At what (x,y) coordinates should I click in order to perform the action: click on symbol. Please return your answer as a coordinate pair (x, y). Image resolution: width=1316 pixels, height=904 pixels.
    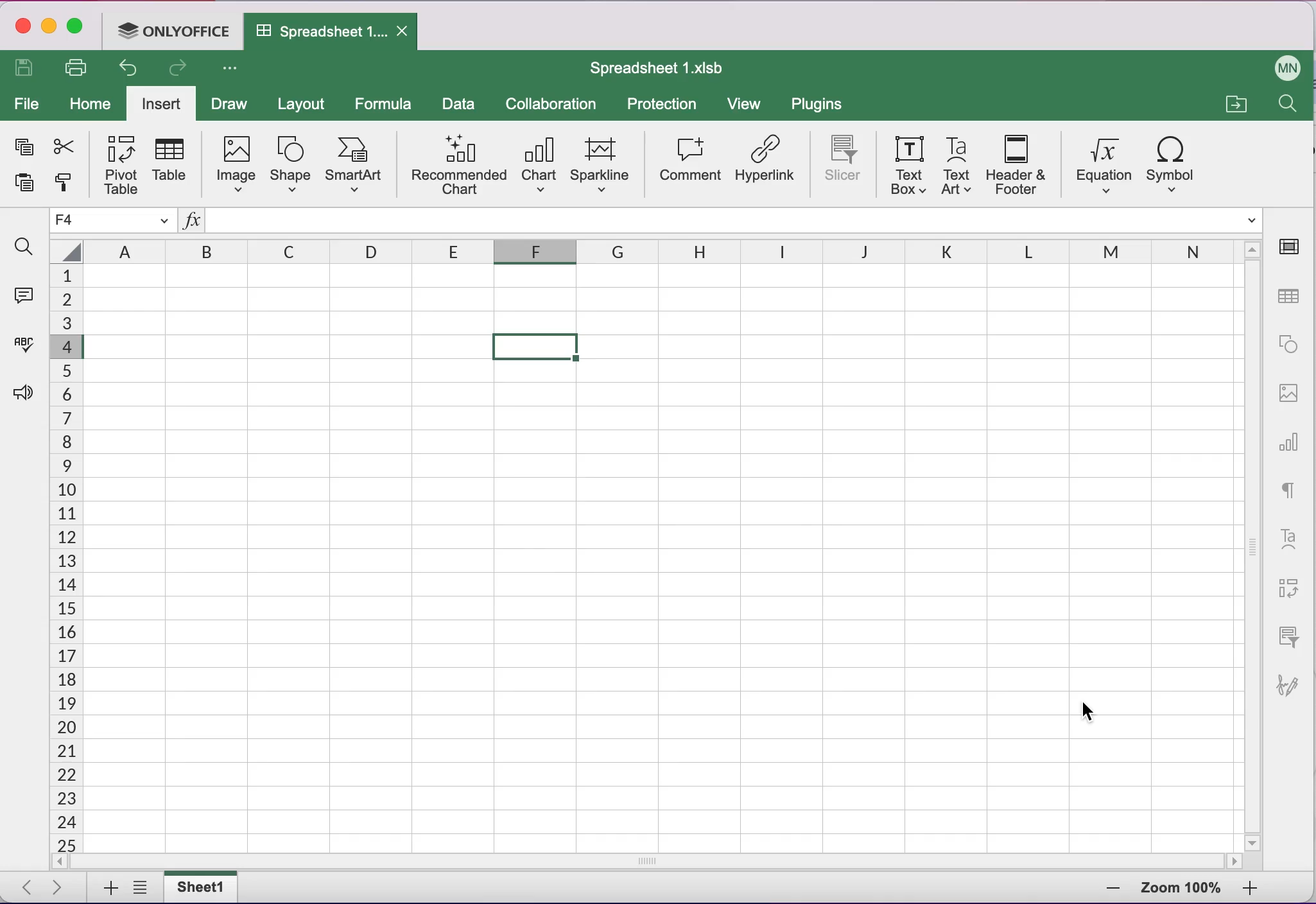
    Looking at the image, I should click on (1173, 161).